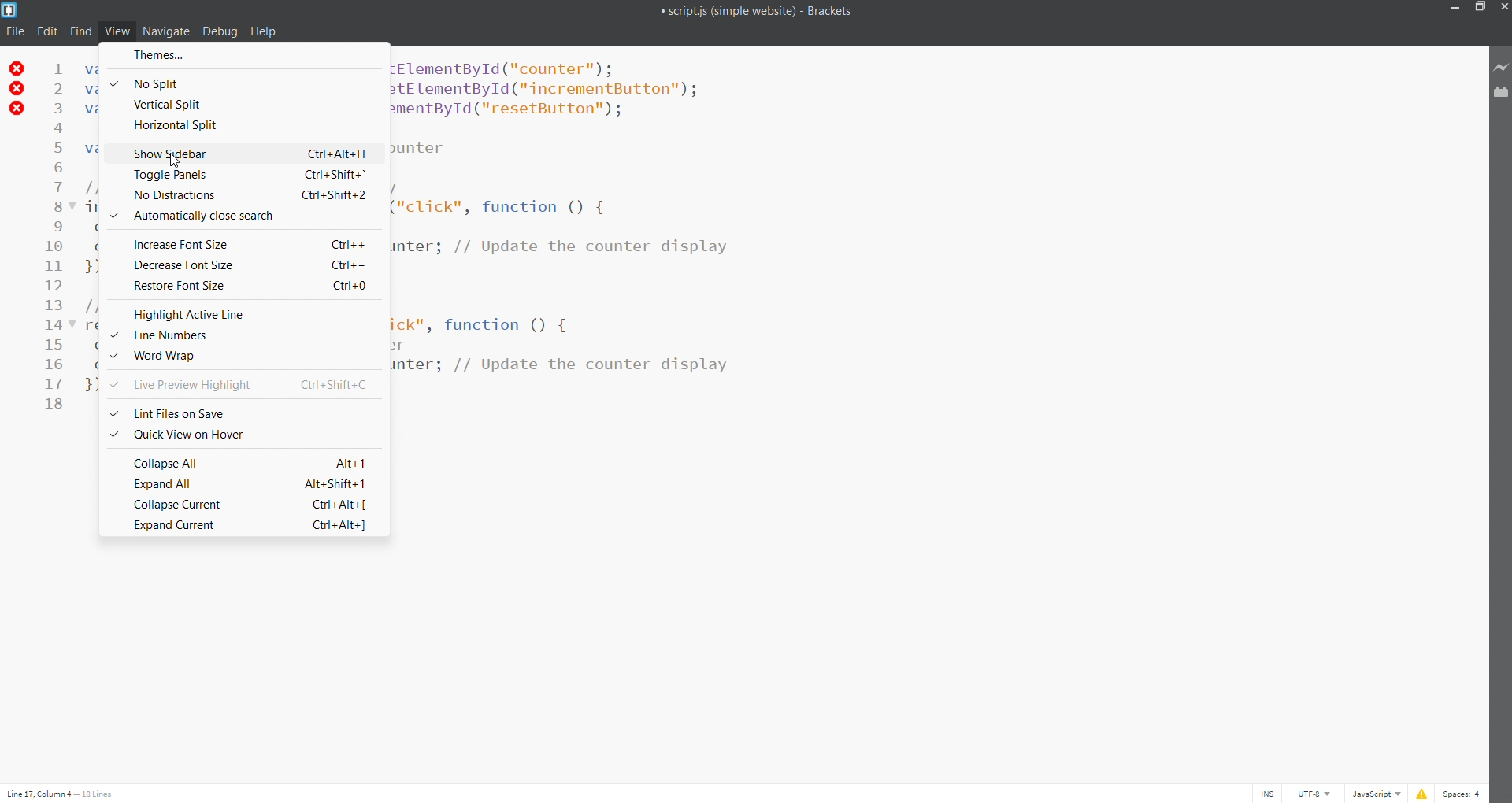 The width and height of the screenshot is (1512, 803). I want to click on show sidebar, so click(243, 151).